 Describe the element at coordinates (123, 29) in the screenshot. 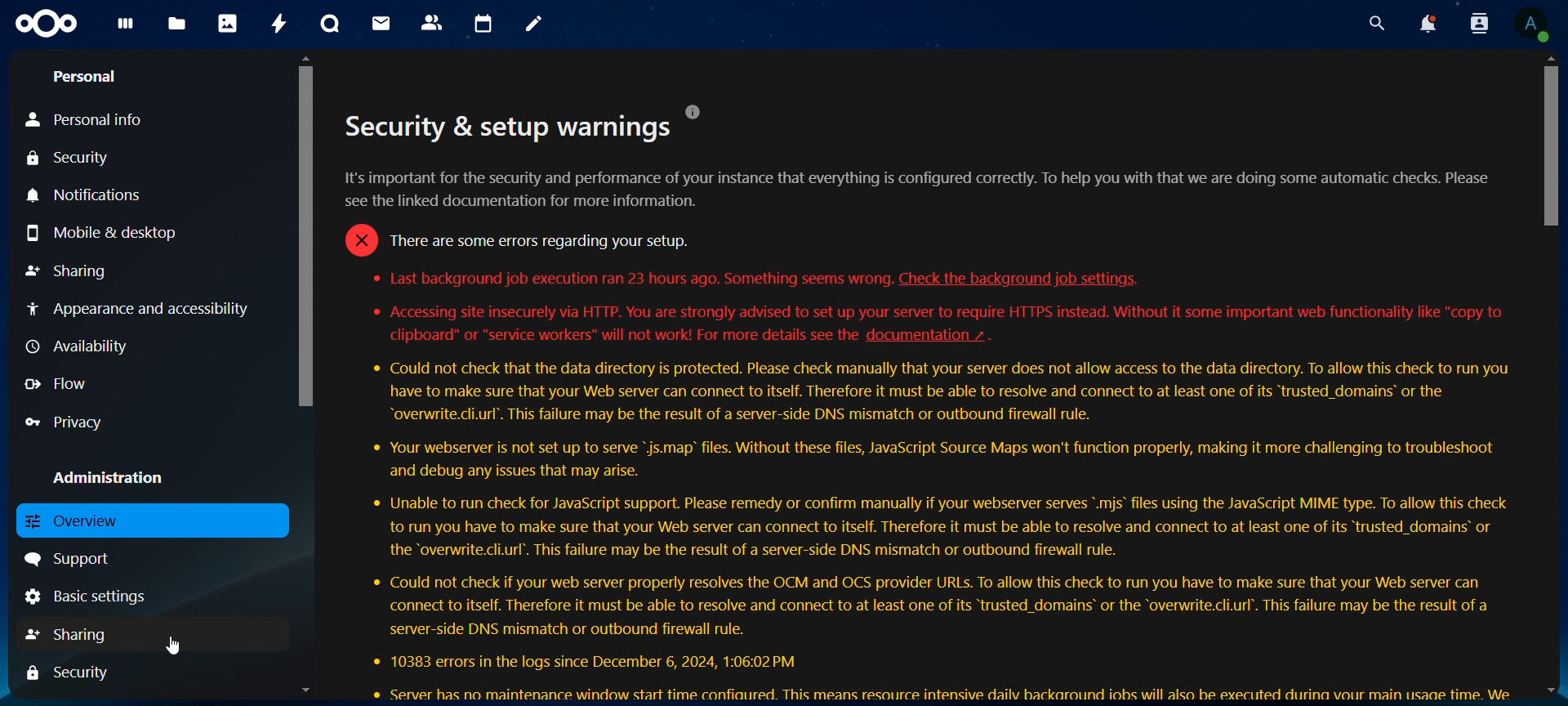

I see `dashboard` at that location.